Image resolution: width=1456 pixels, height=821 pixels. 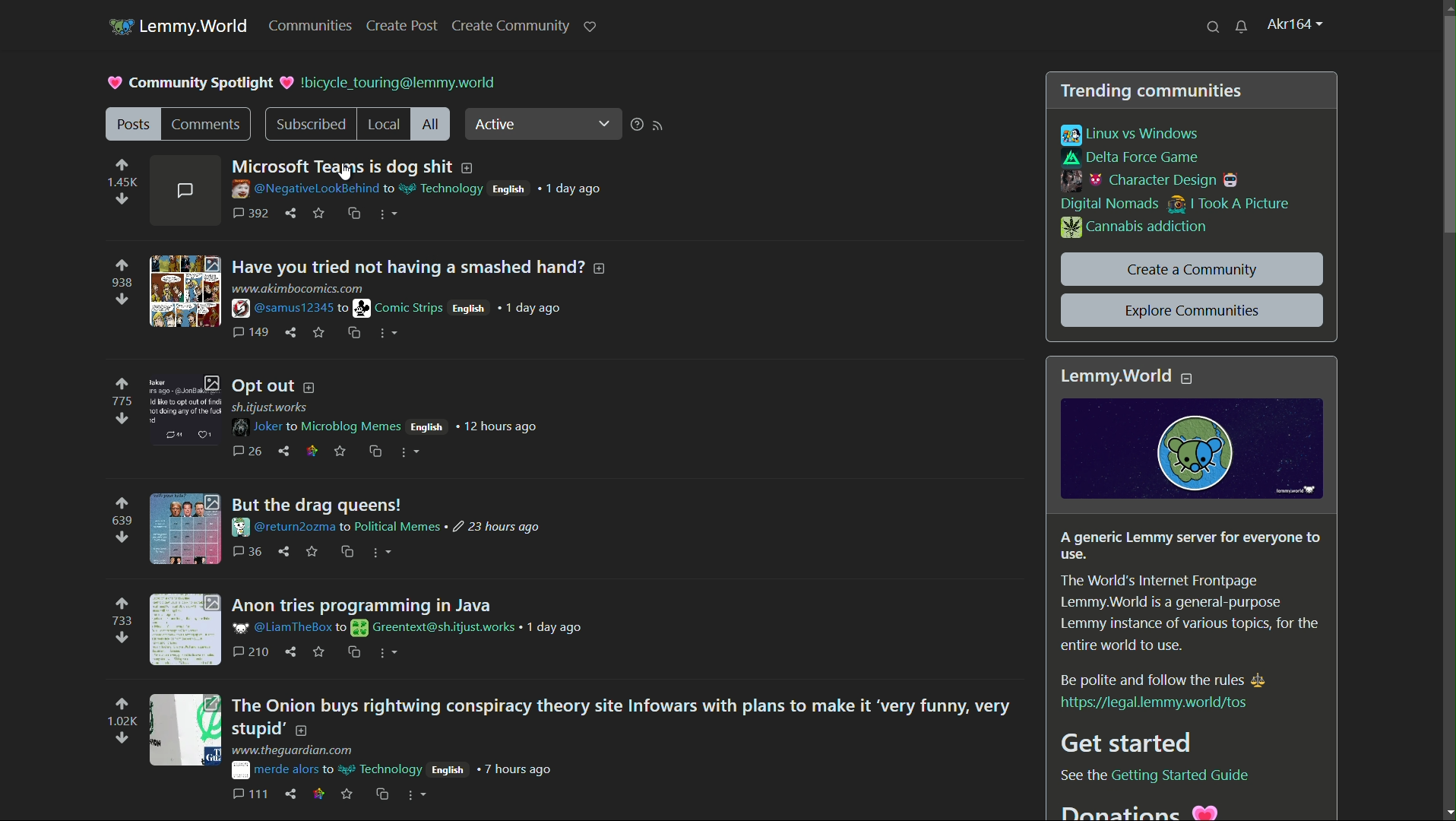 What do you see at coordinates (418, 168) in the screenshot?
I see `post-1` at bounding box center [418, 168].